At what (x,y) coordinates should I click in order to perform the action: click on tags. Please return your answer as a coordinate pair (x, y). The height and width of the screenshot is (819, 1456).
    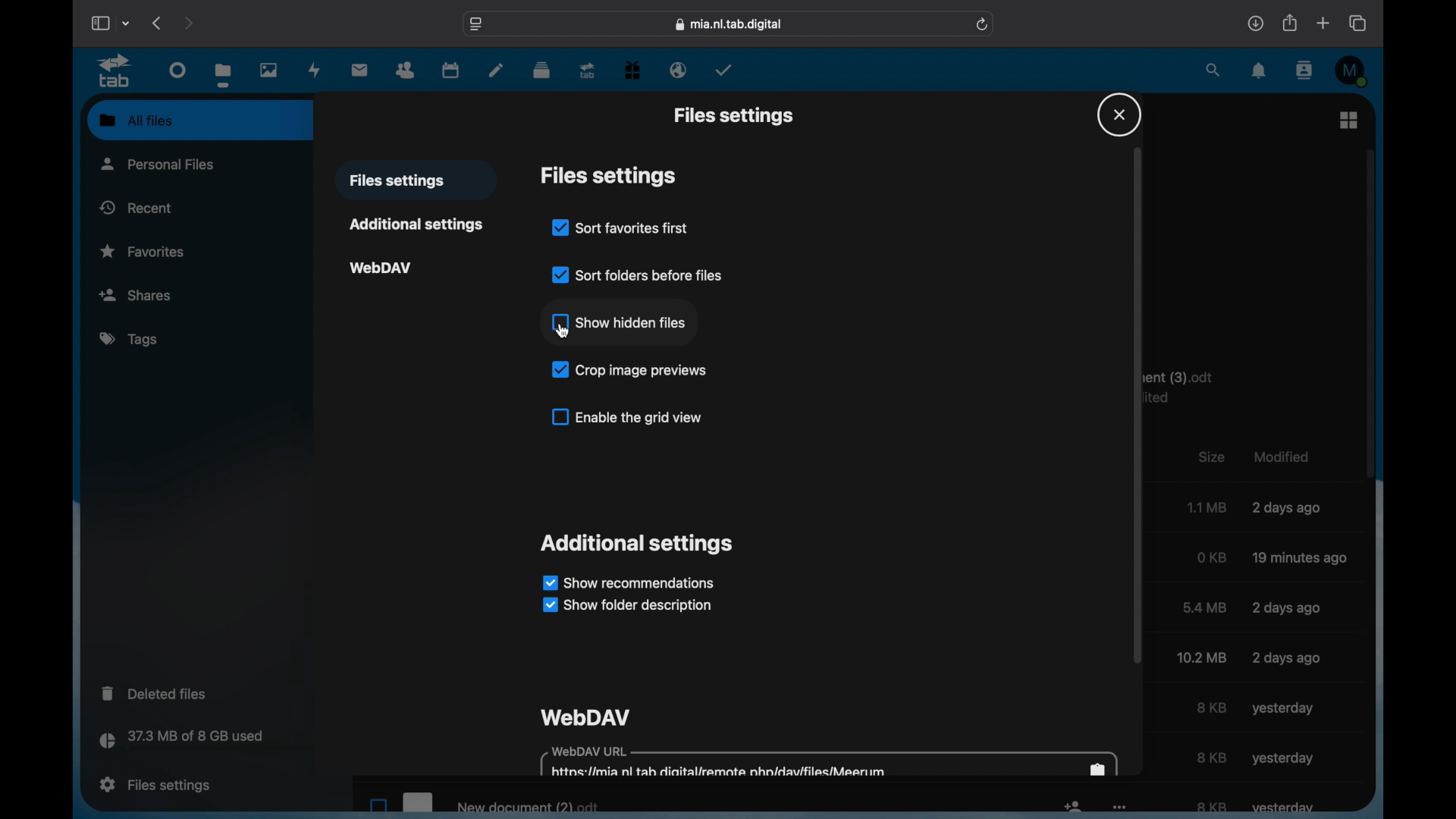
    Looking at the image, I should click on (130, 340).